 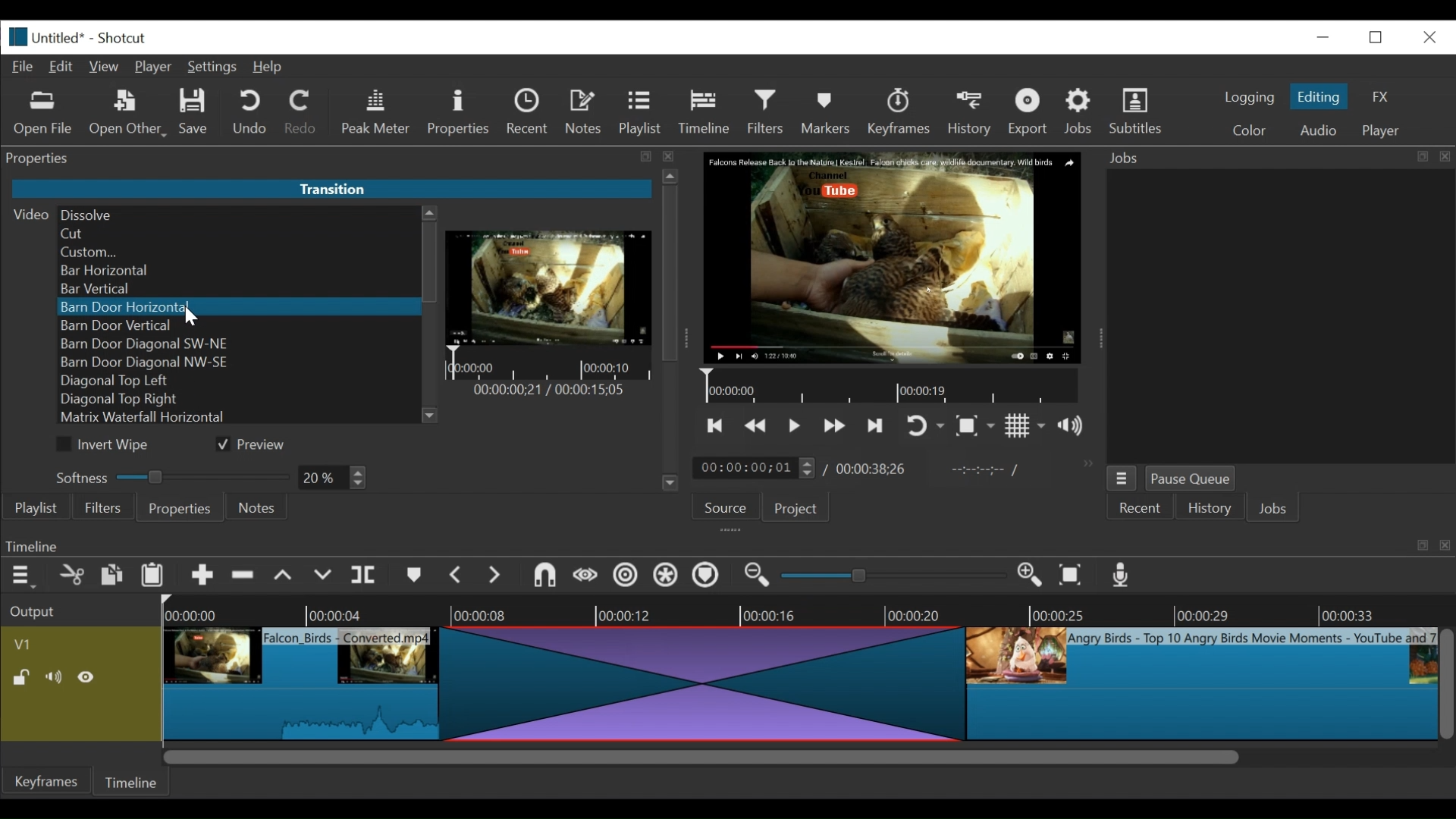 What do you see at coordinates (242, 326) in the screenshot?
I see `Barn Door Vertical` at bounding box center [242, 326].